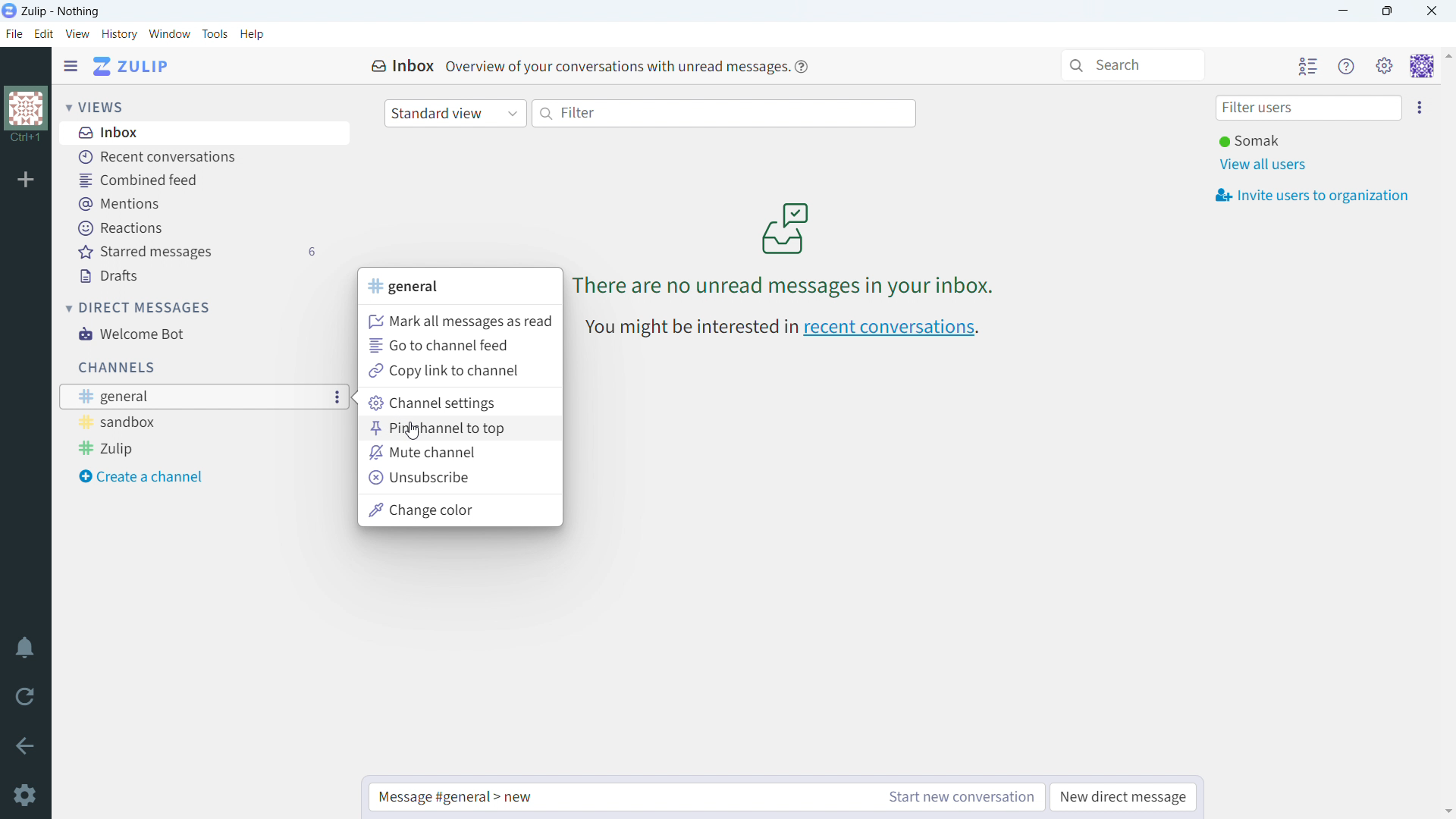  Describe the element at coordinates (14, 33) in the screenshot. I see `file` at that location.